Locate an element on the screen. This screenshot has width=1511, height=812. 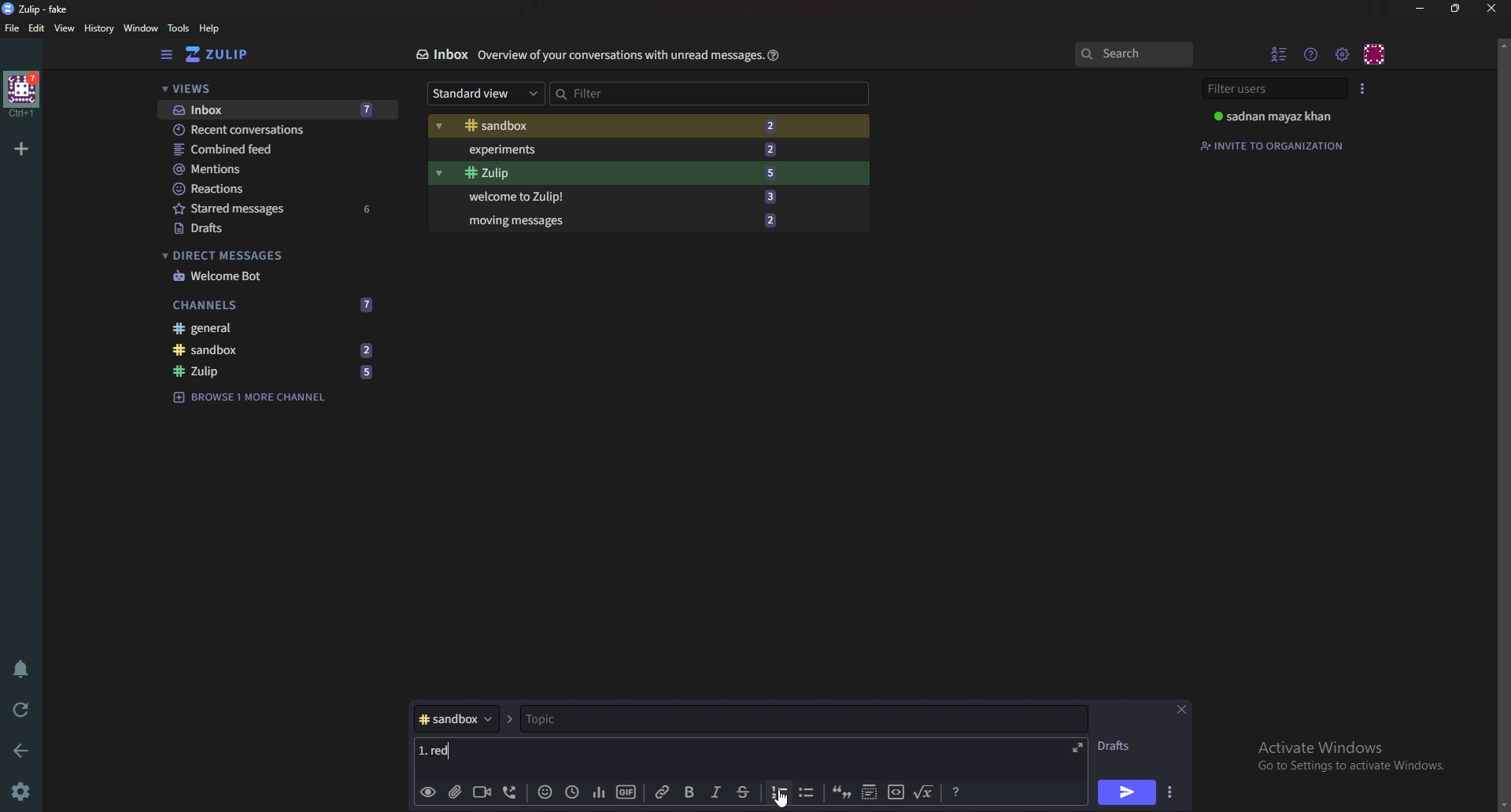
Filter is located at coordinates (621, 91).